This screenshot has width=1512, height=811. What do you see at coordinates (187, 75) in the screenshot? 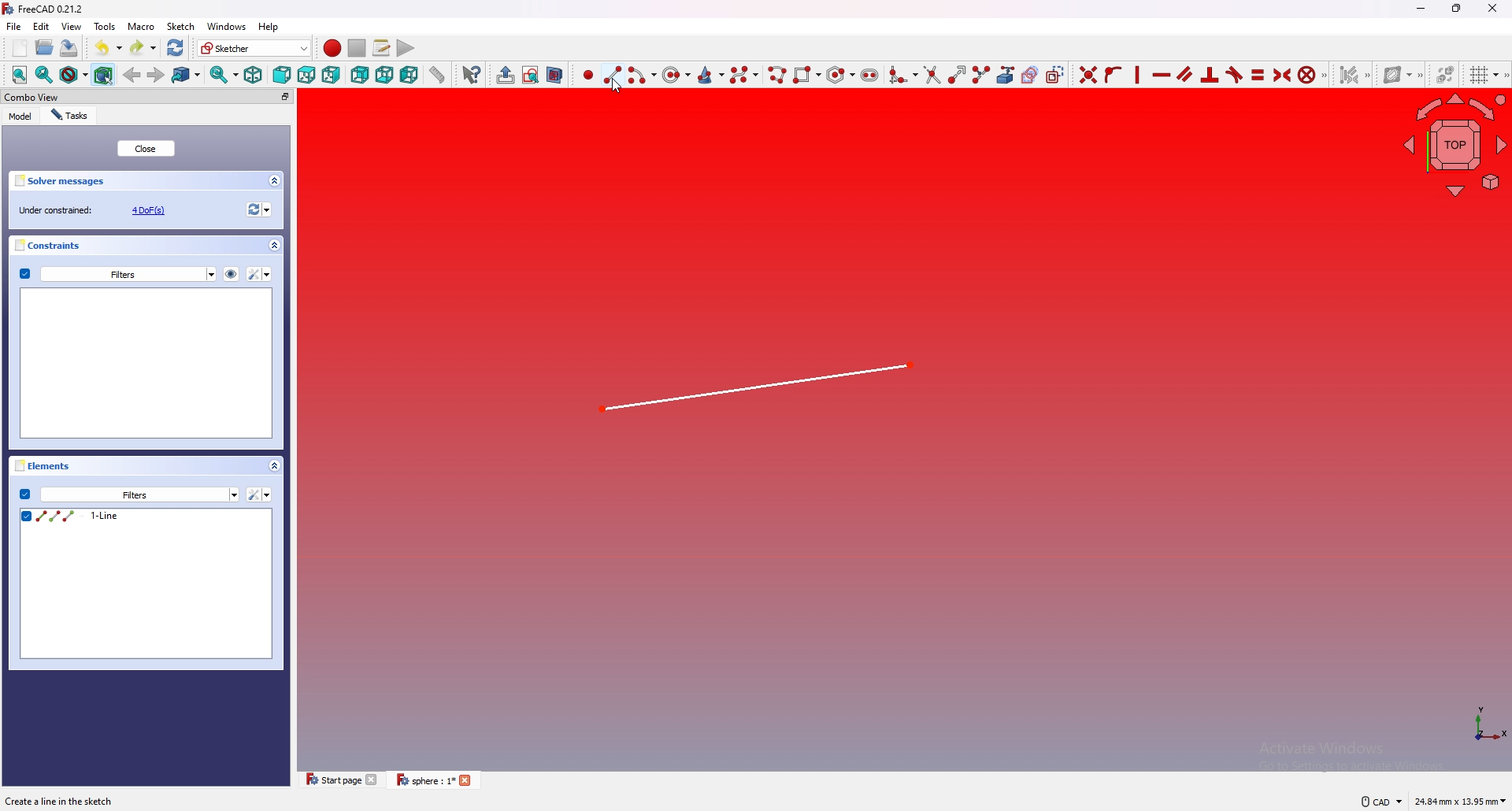
I see `Go to linked object` at bounding box center [187, 75].